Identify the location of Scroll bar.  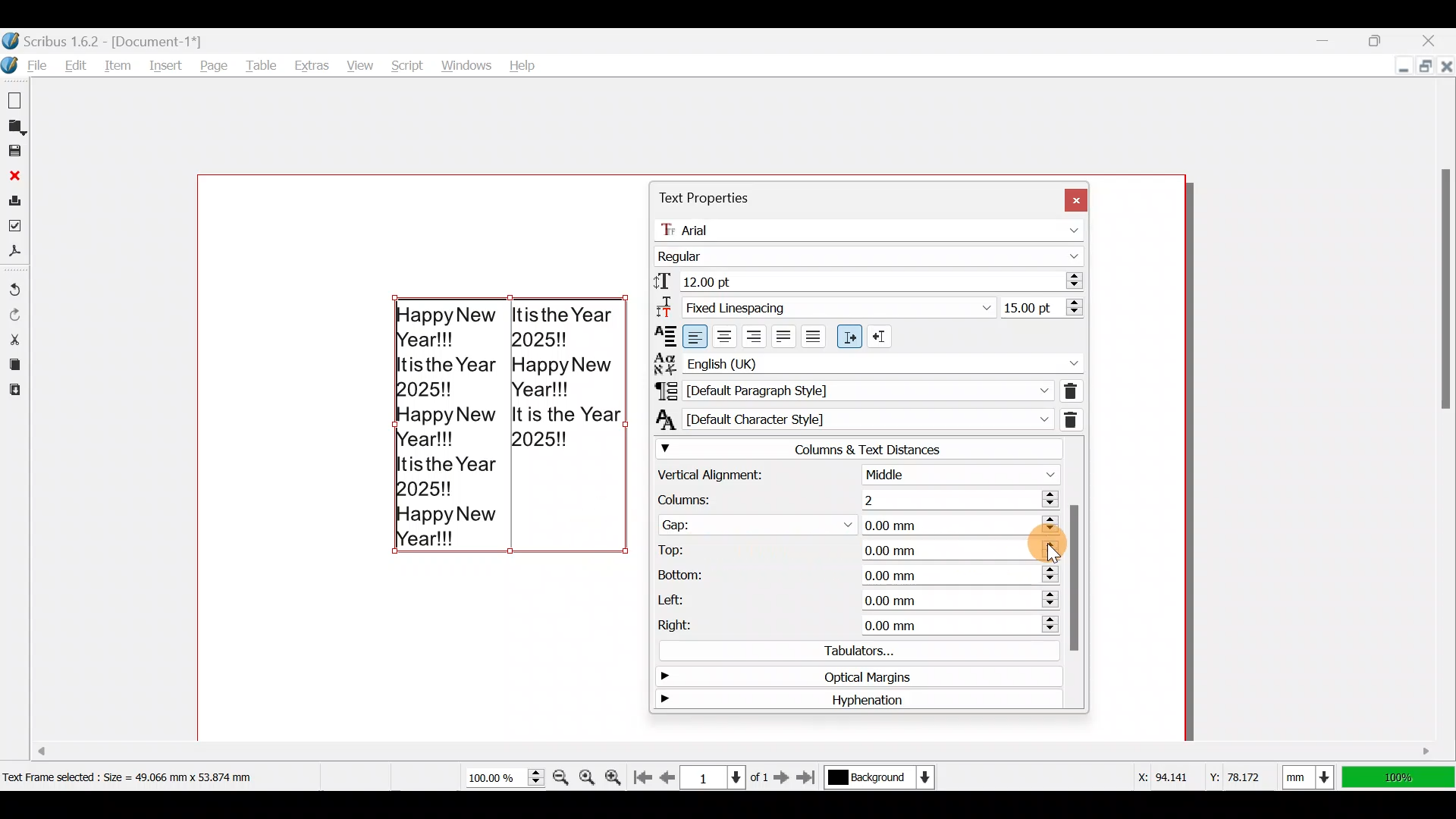
(613, 745).